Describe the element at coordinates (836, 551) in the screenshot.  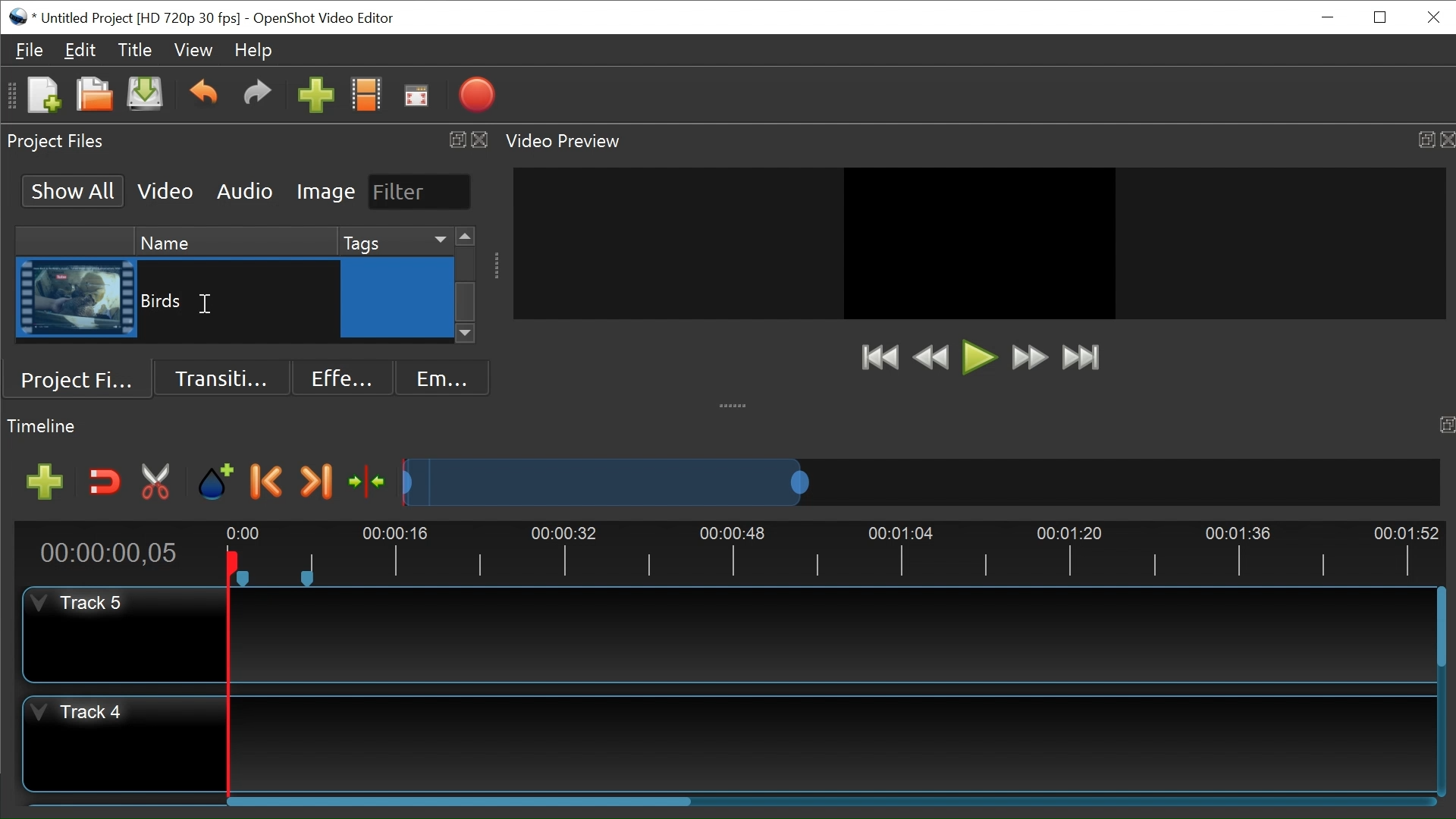
I see `Timeline` at that location.